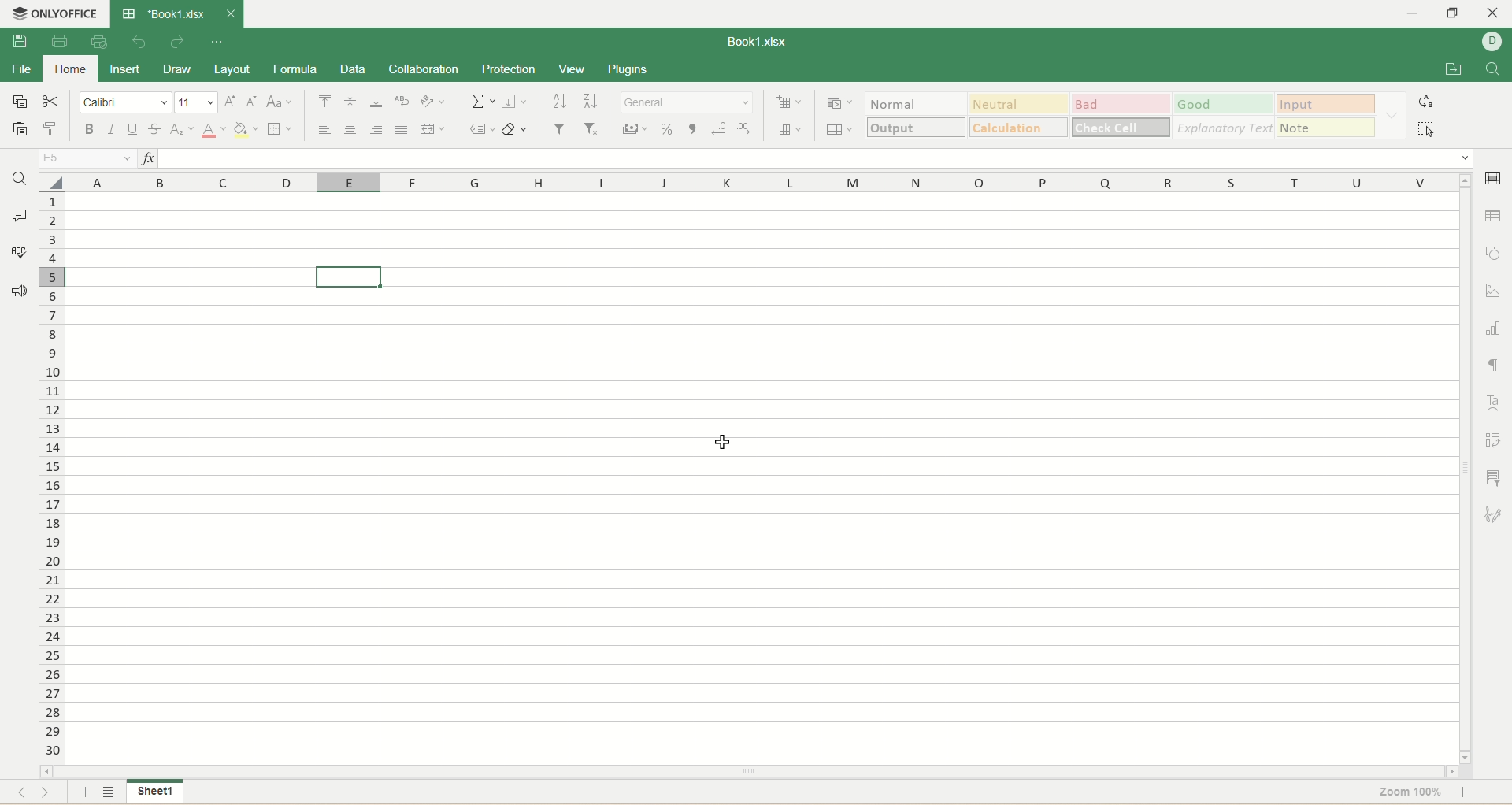  I want to click on named ranges, so click(482, 128).